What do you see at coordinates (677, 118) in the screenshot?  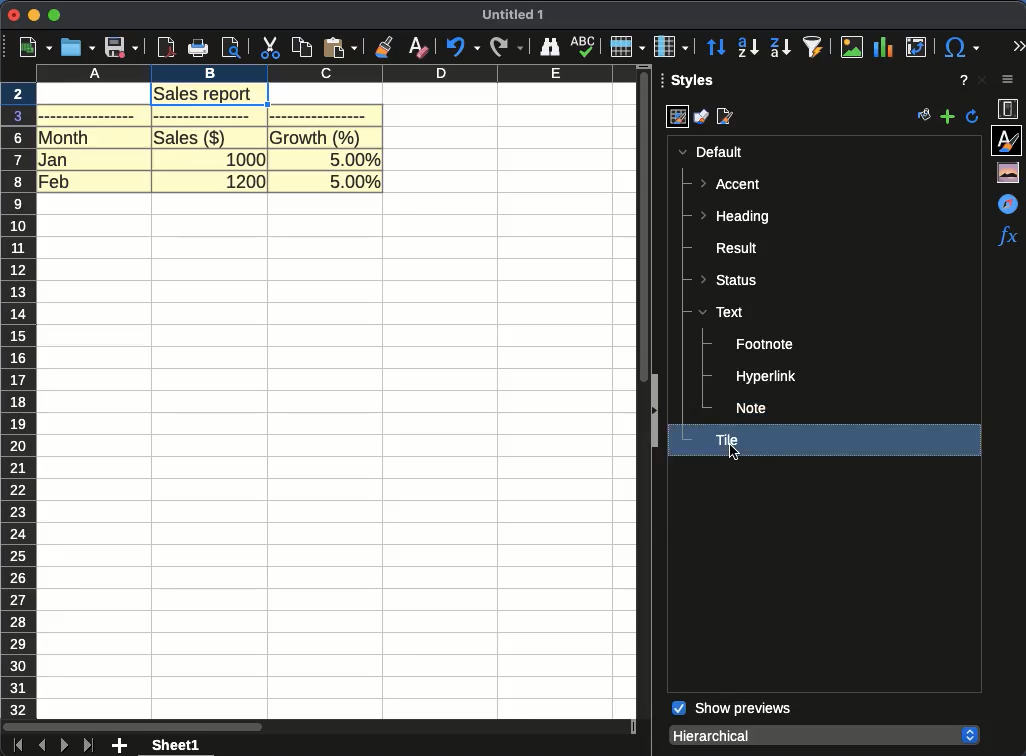 I see `cell styles` at bounding box center [677, 118].